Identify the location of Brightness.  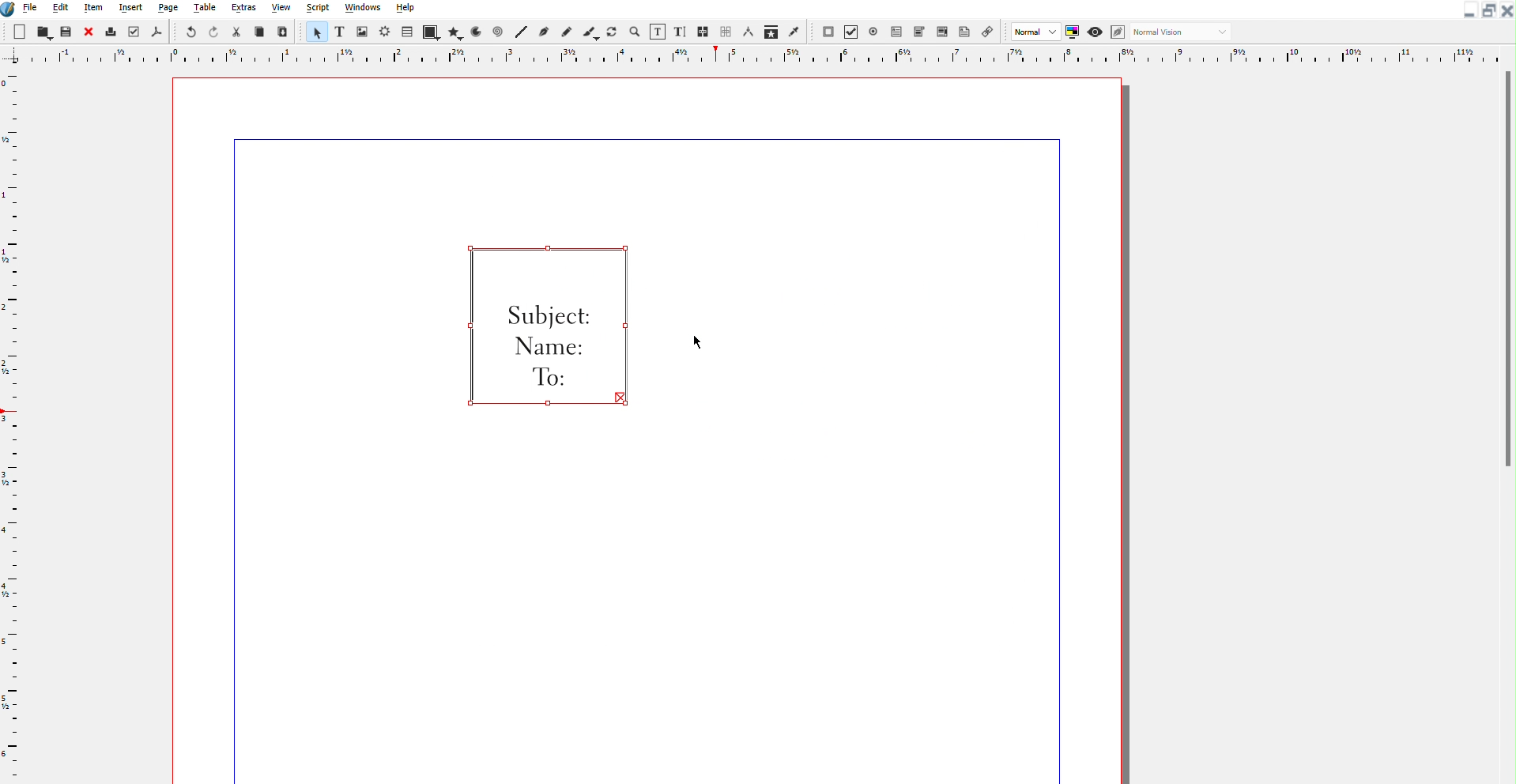
(385, 32).